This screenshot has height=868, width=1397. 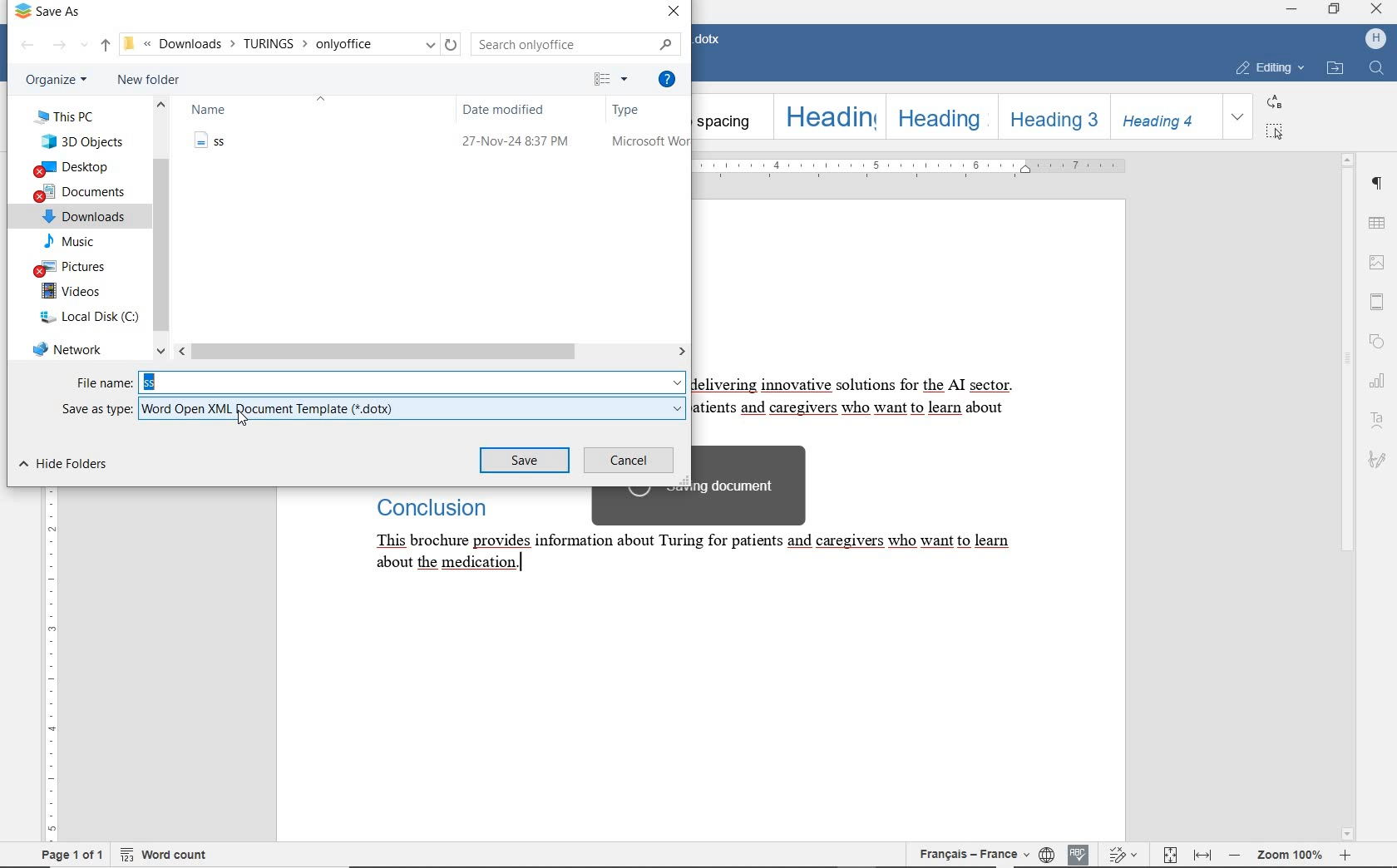 What do you see at coordinates (150, 81) in the screenshot?
I see `NEW FOLDER` at bounding box center [150, 81].